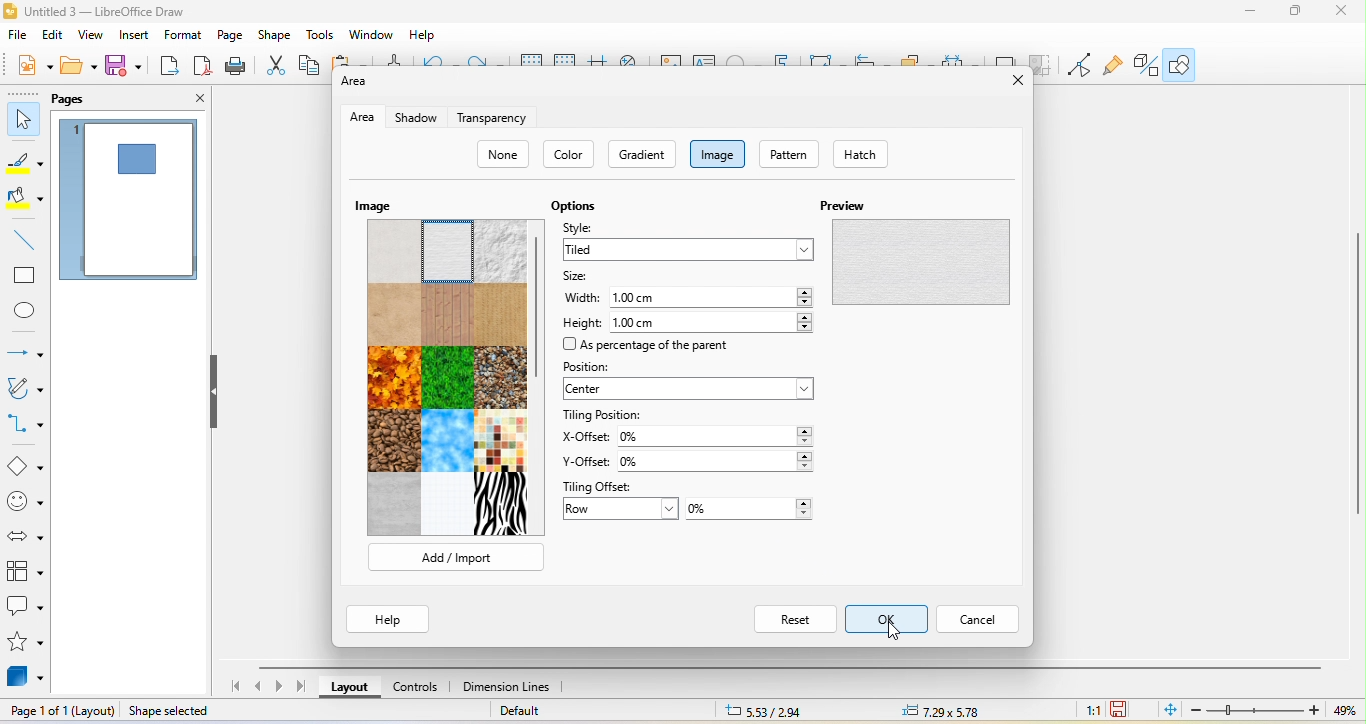  Describe the element at coordinates (23, 119) in the screenshot. I see `select` at that location.